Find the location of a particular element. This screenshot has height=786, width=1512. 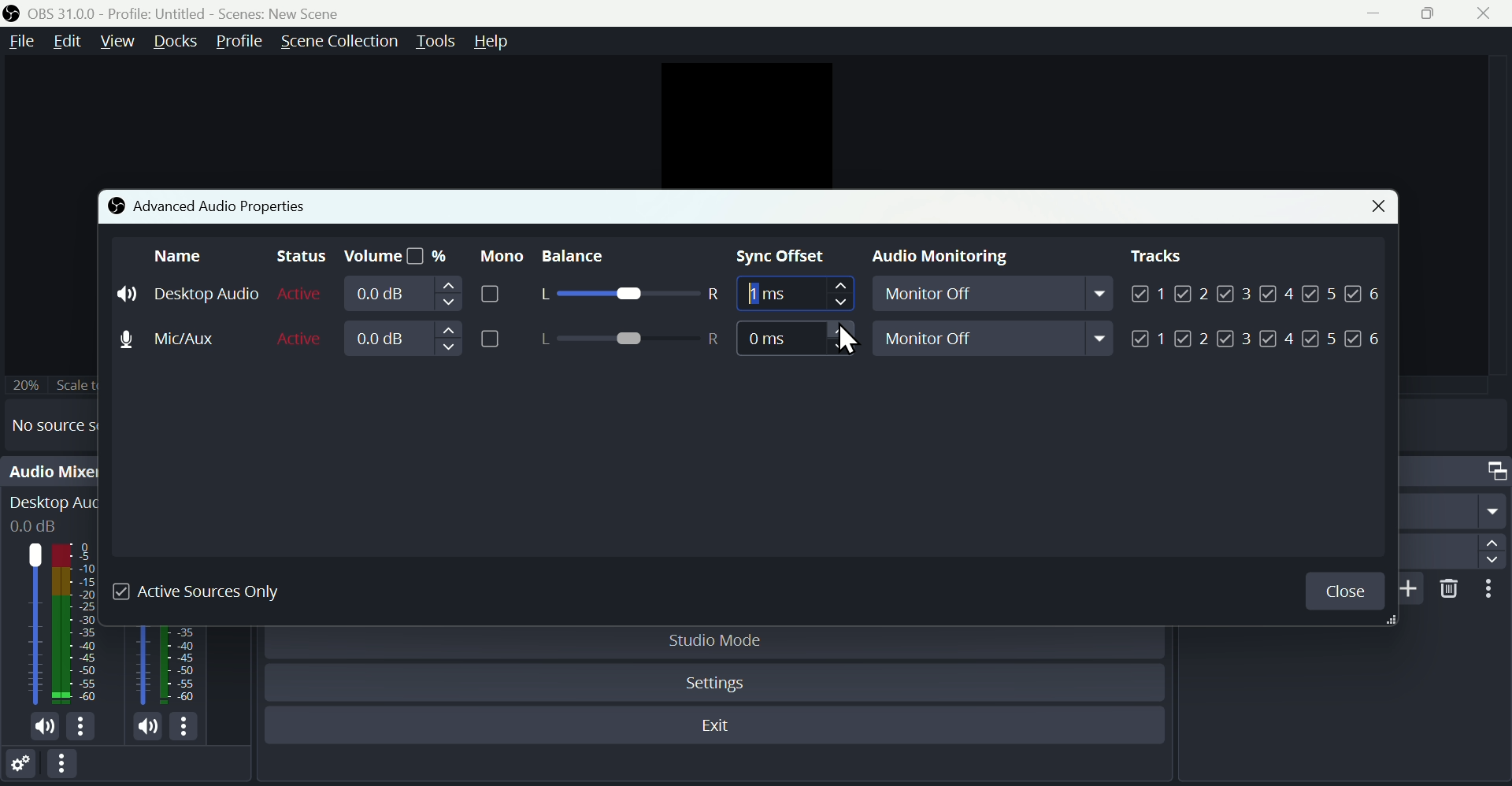

(un)check Track 2 is located at coordinates (1192, 339).